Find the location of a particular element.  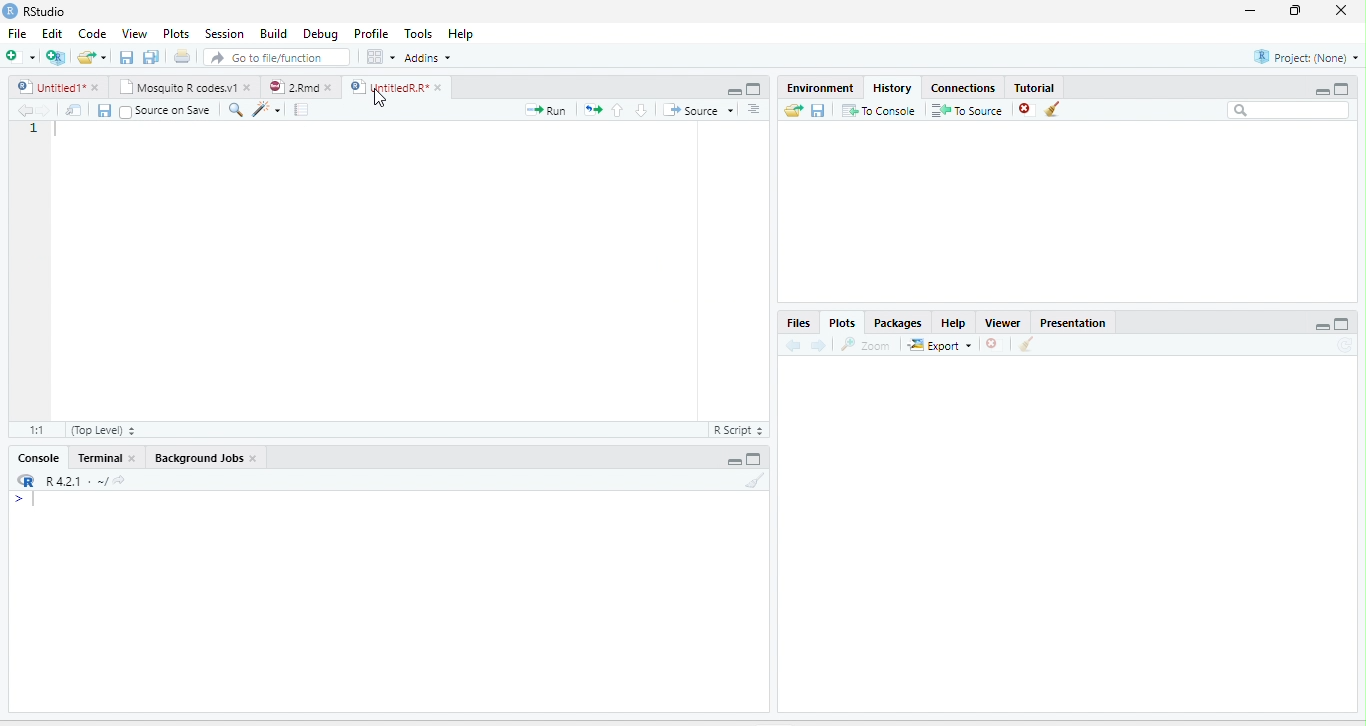

Refresh current plot is located at coordinates (1346, 345).